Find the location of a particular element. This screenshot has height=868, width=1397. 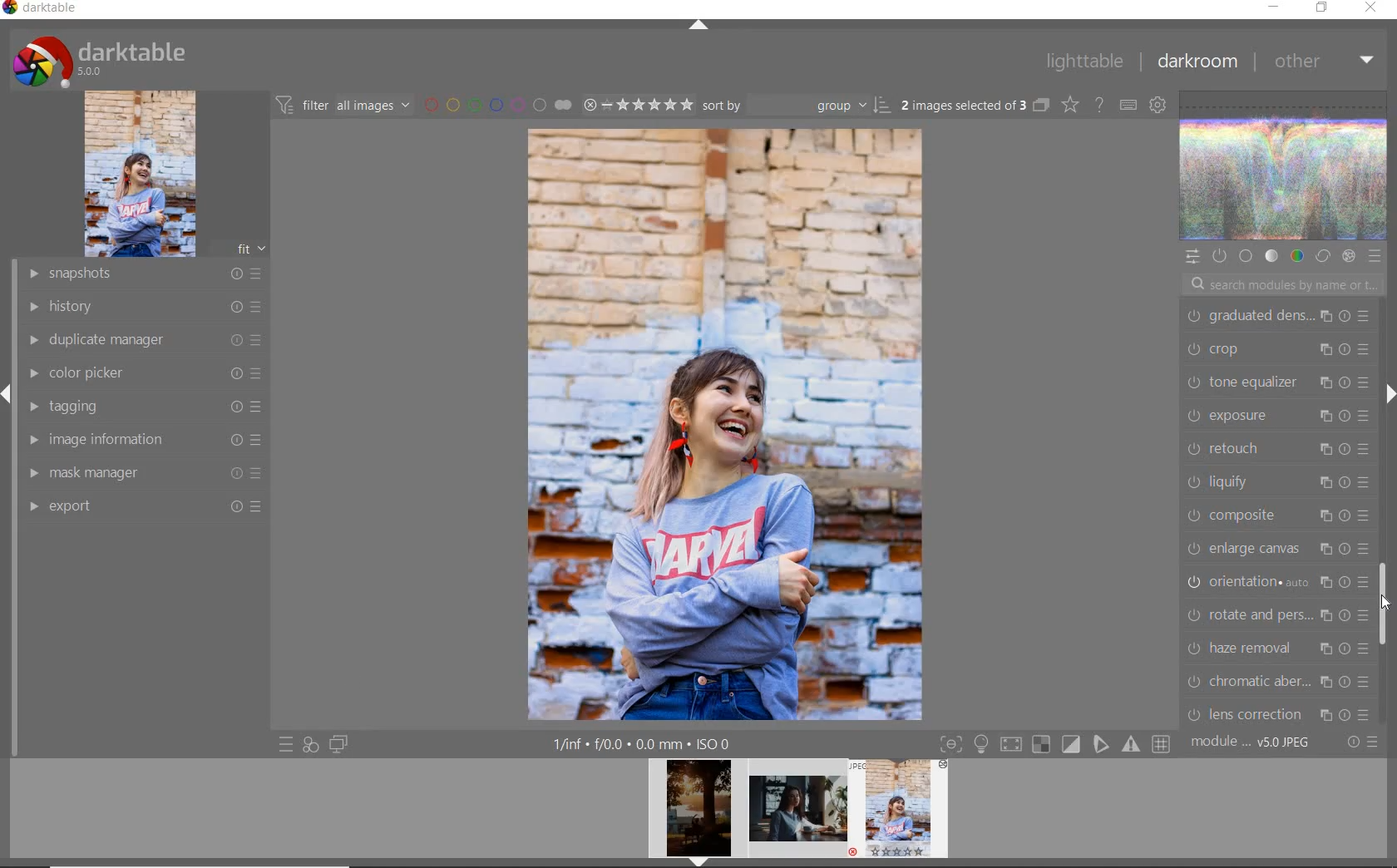

rotate is located at coordinates (1278, 615).